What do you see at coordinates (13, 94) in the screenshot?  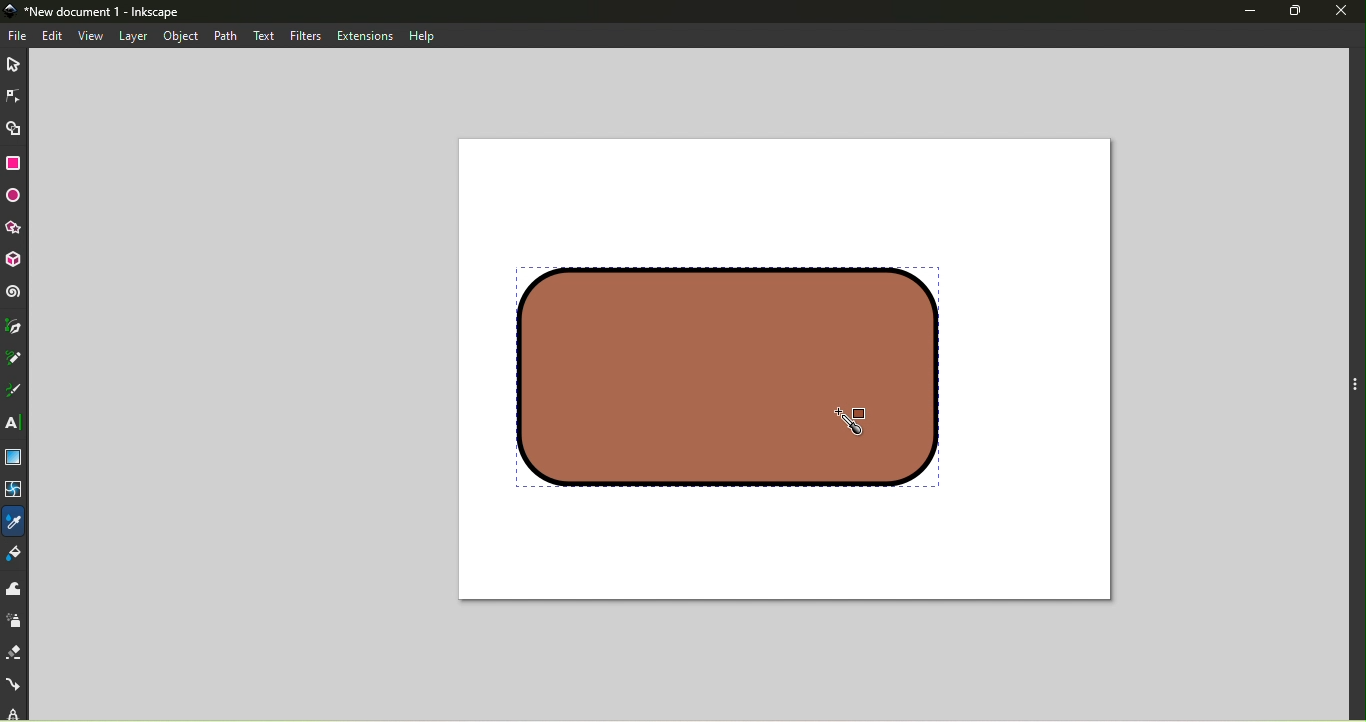 I see `Node tool` at bounding box center [13, 94].